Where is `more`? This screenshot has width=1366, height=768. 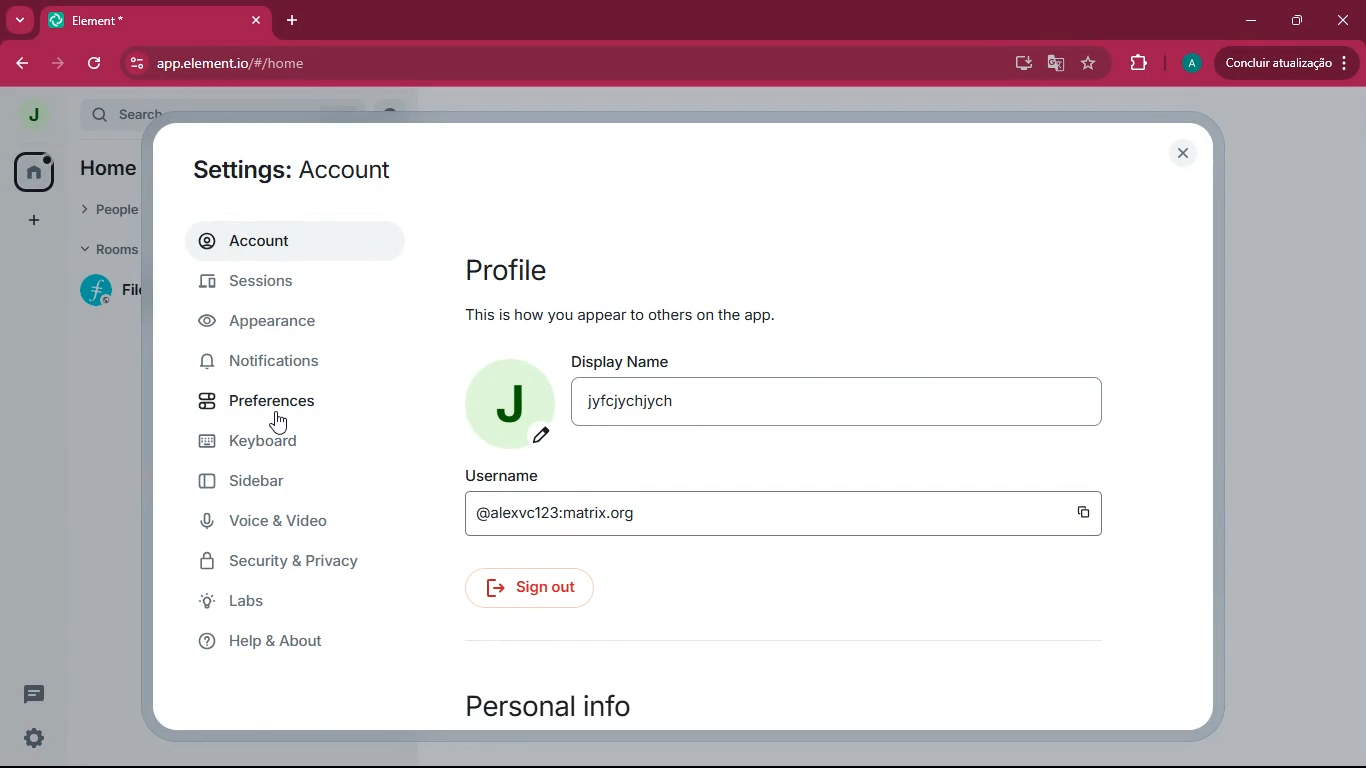 more is located at coordinates (22, 19).